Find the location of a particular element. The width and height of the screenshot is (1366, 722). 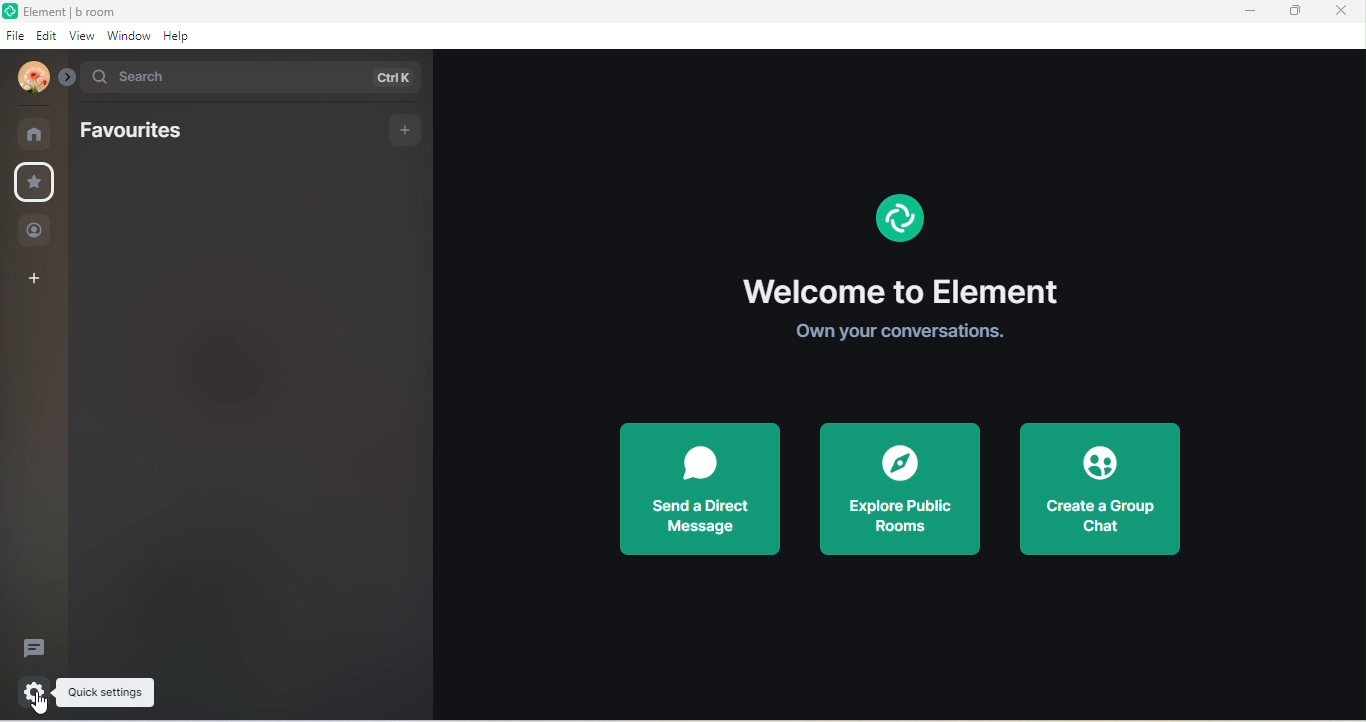

send a direct message is located at coordinates (700, 490).